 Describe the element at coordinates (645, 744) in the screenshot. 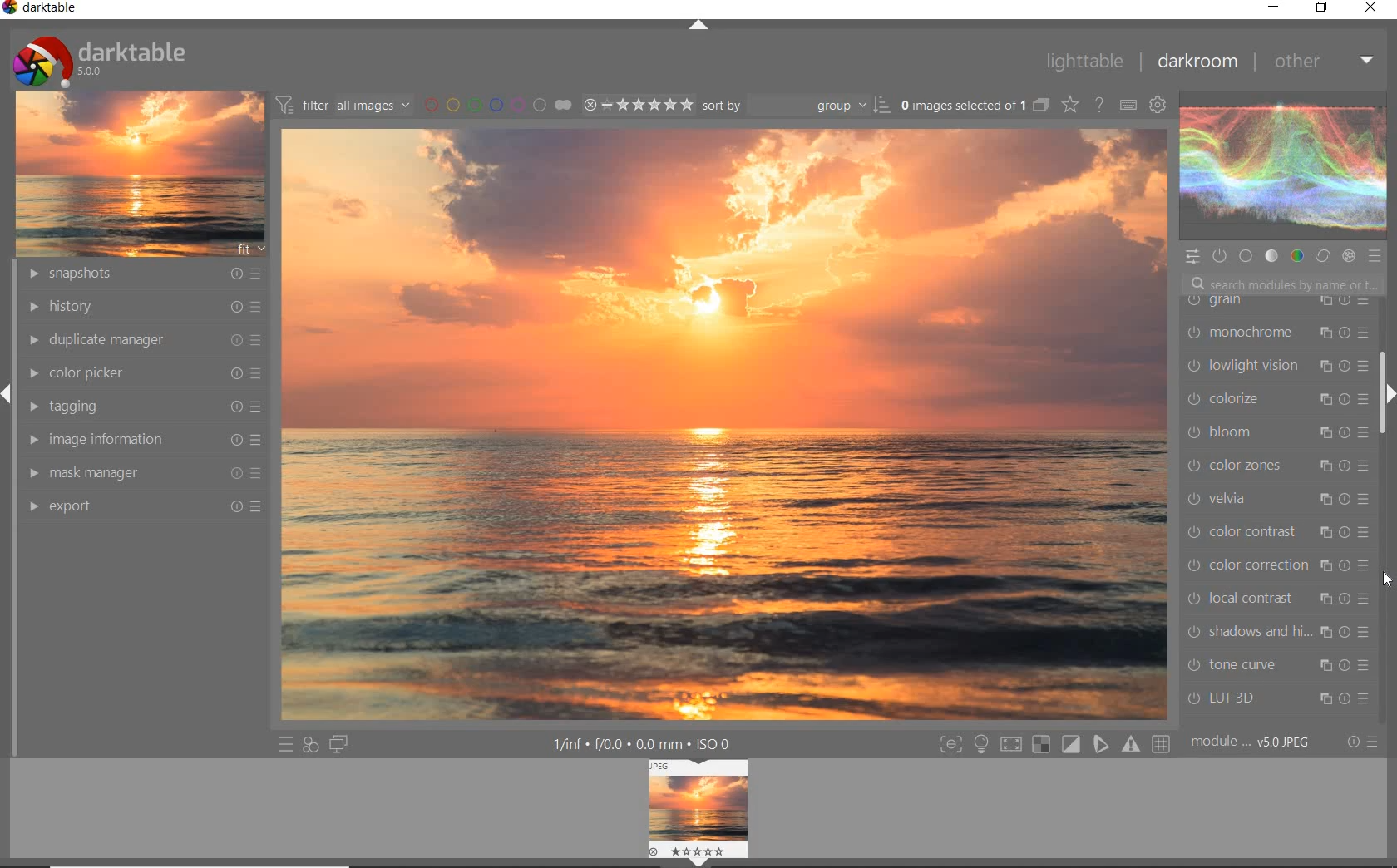

I see `OTHER INTERFACE DETAIL` at that location.